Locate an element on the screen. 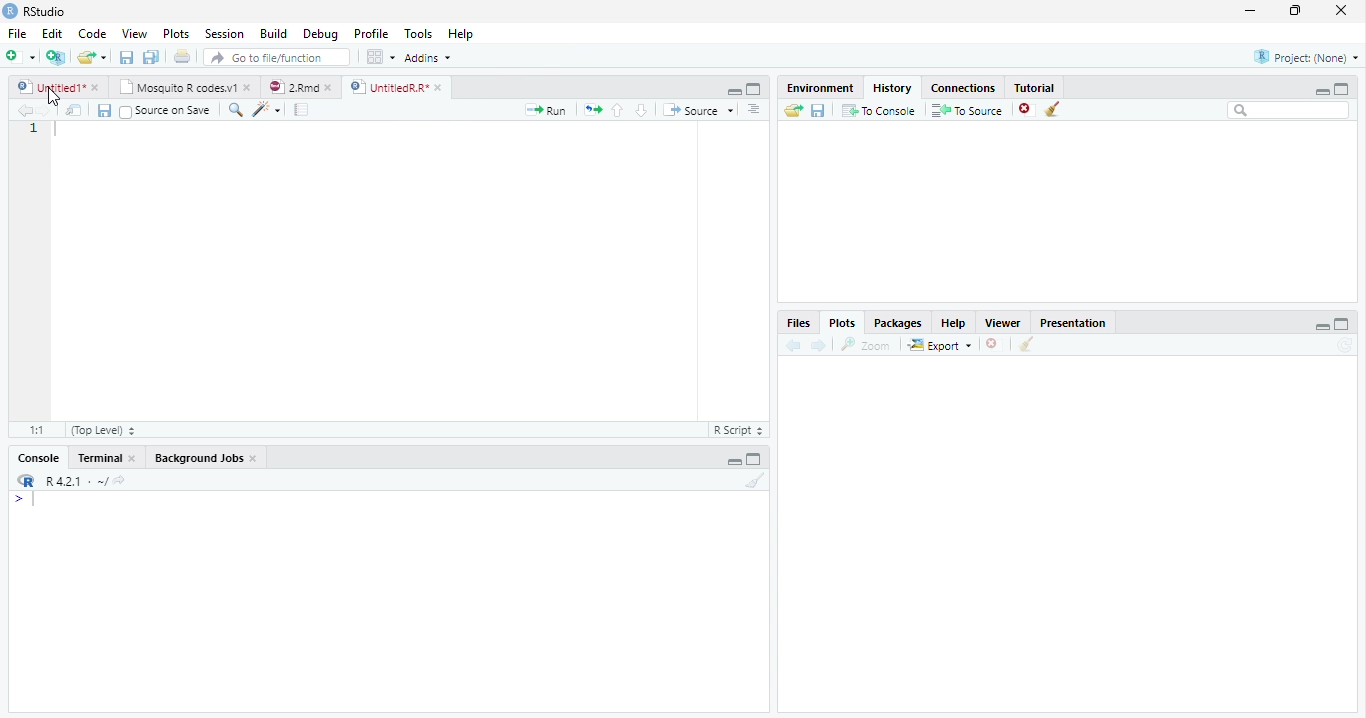 Image resolution: width=1366 pixels, height=718 pixels. Tutorial is located at coordinates (1034, 88).